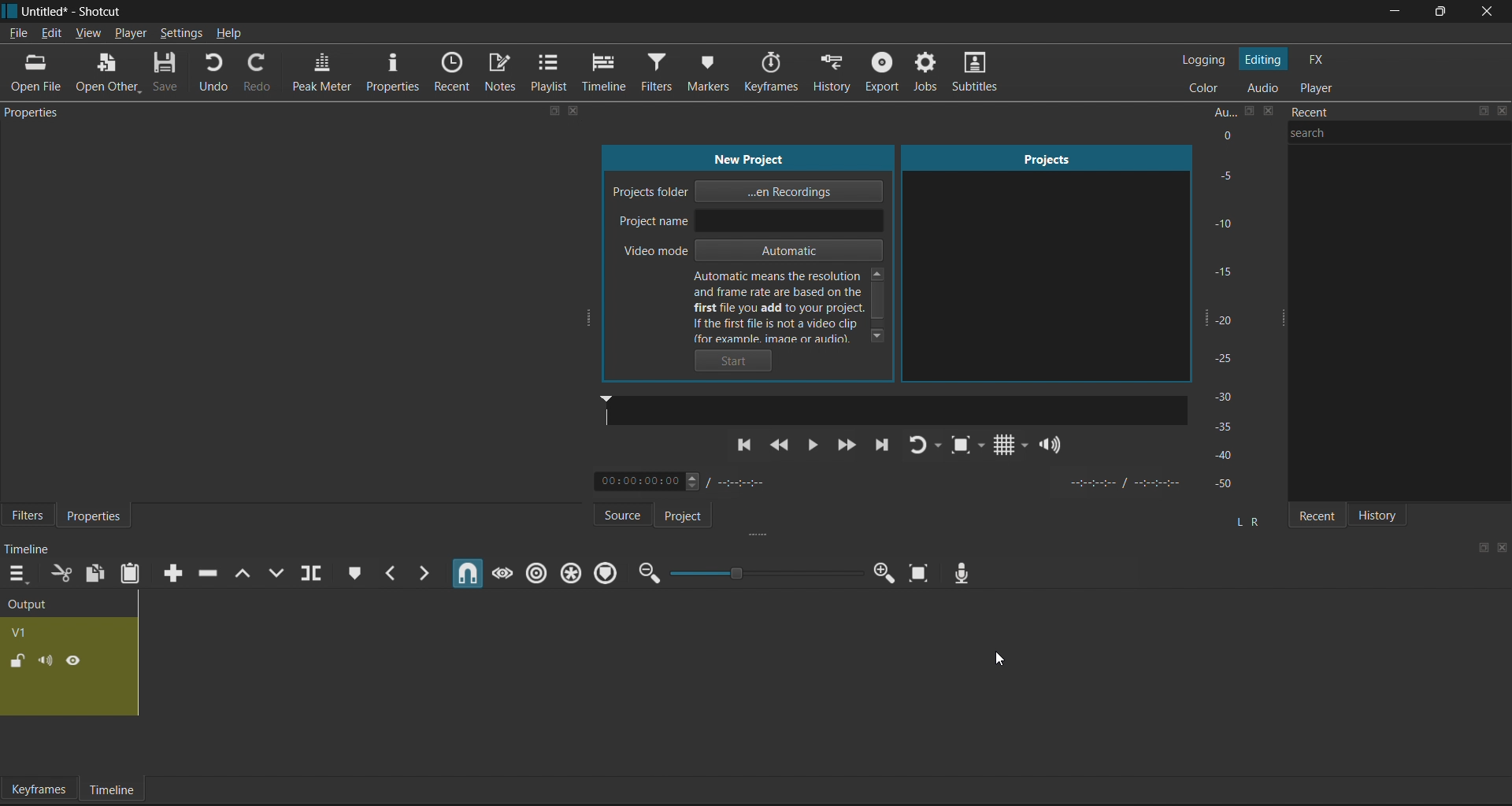 This screenshot has height=806, width=1512. I want to click on cursor, so click(1003, 657).